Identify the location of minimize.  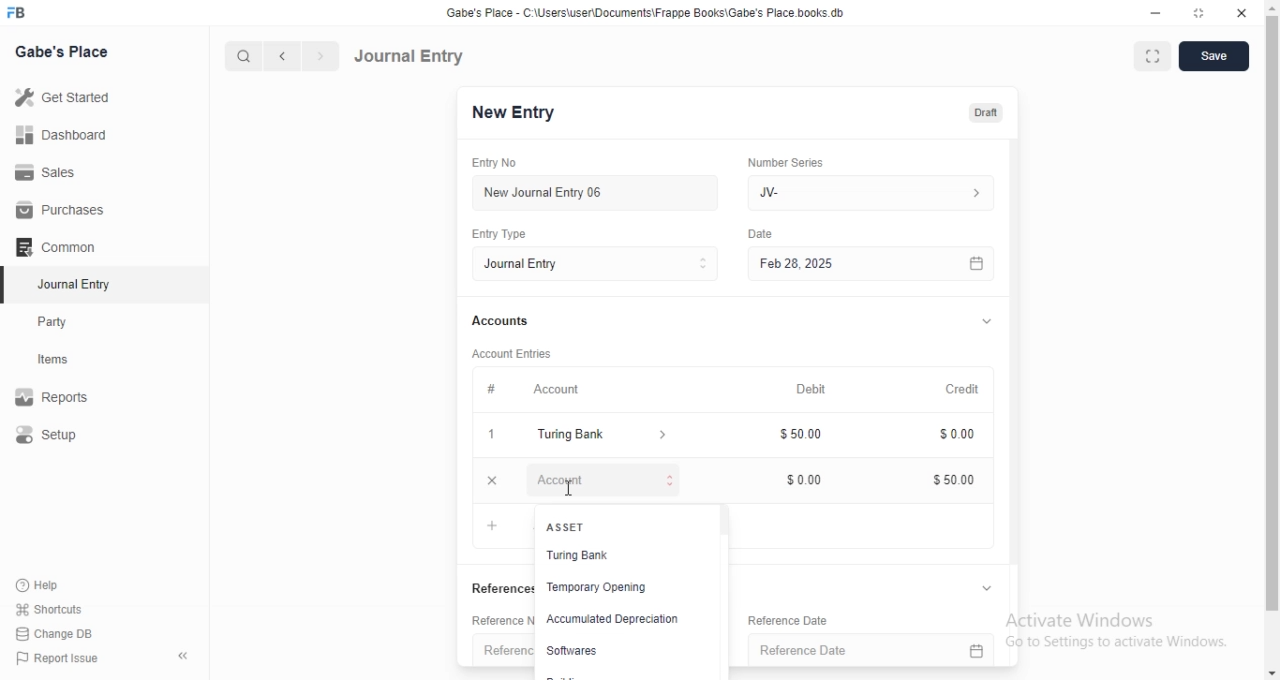
(1158, 15).